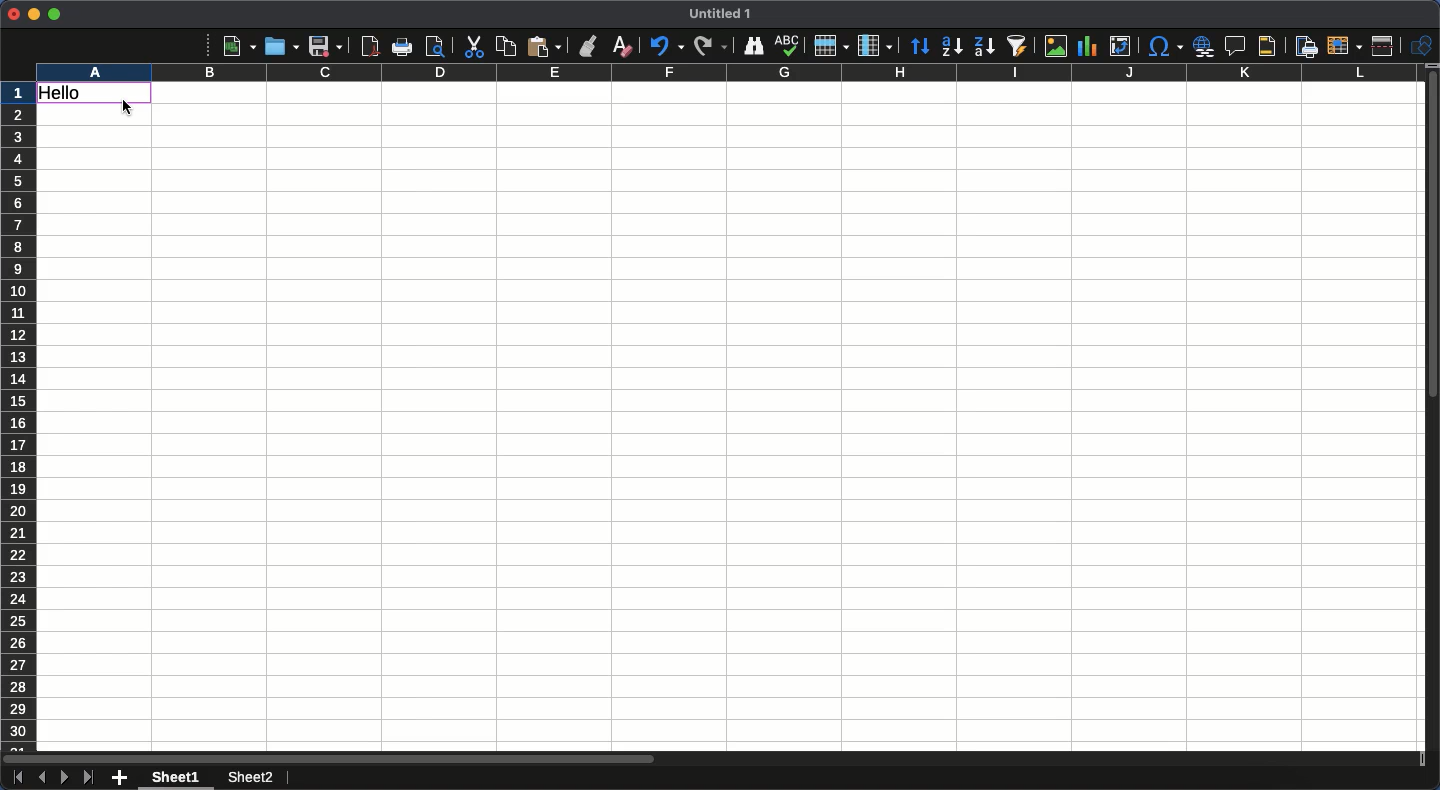  What do you see at coordinates (1387, 46) in the screenshot?
I see `Split window` at bounding box center [1387, 46].